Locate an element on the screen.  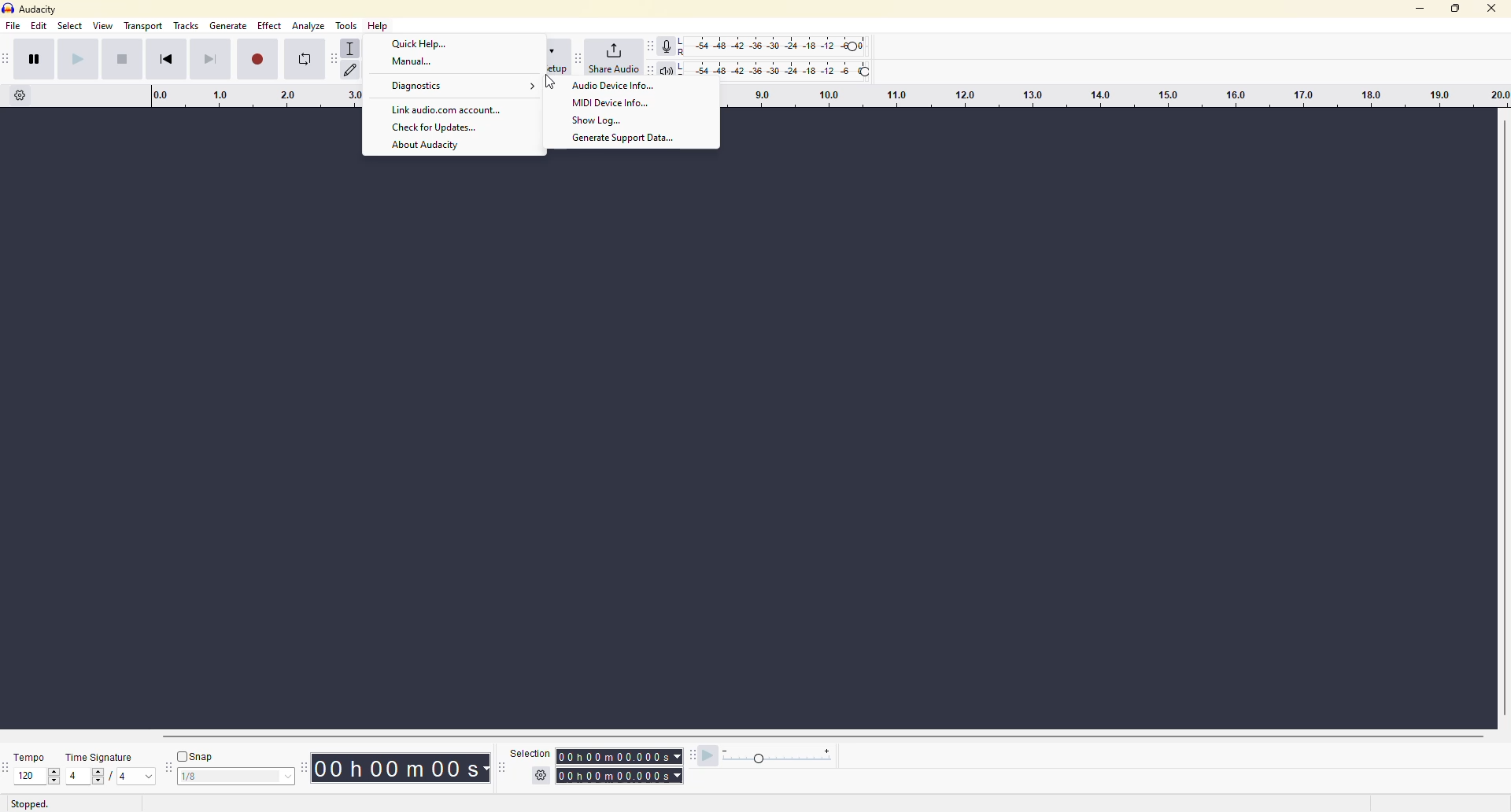
edit is located at coordinates (39, 28).